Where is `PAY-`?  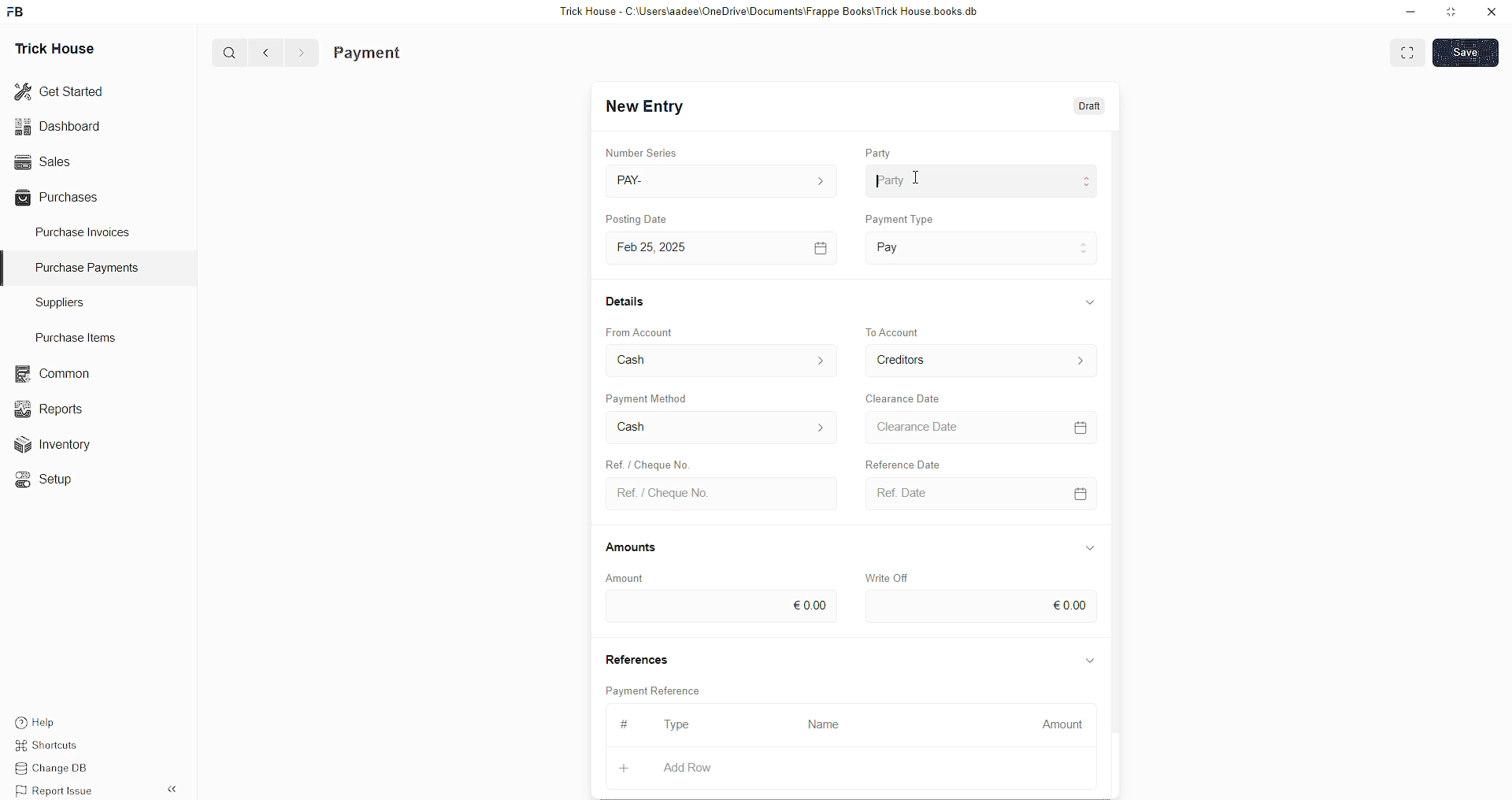
PAY- is located at coordinates (635, 179).